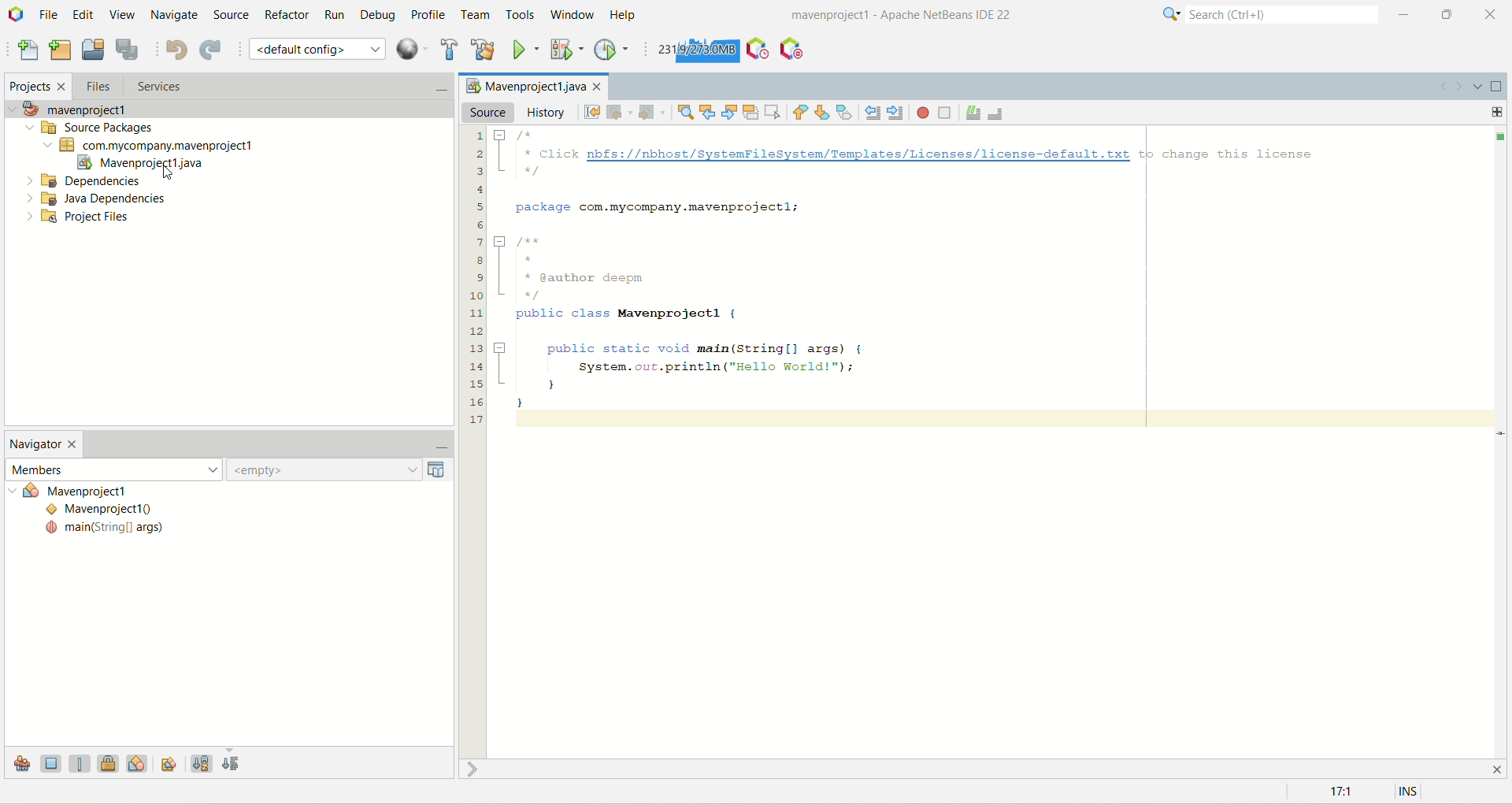  I want to click on cursor, so click(172, 174).